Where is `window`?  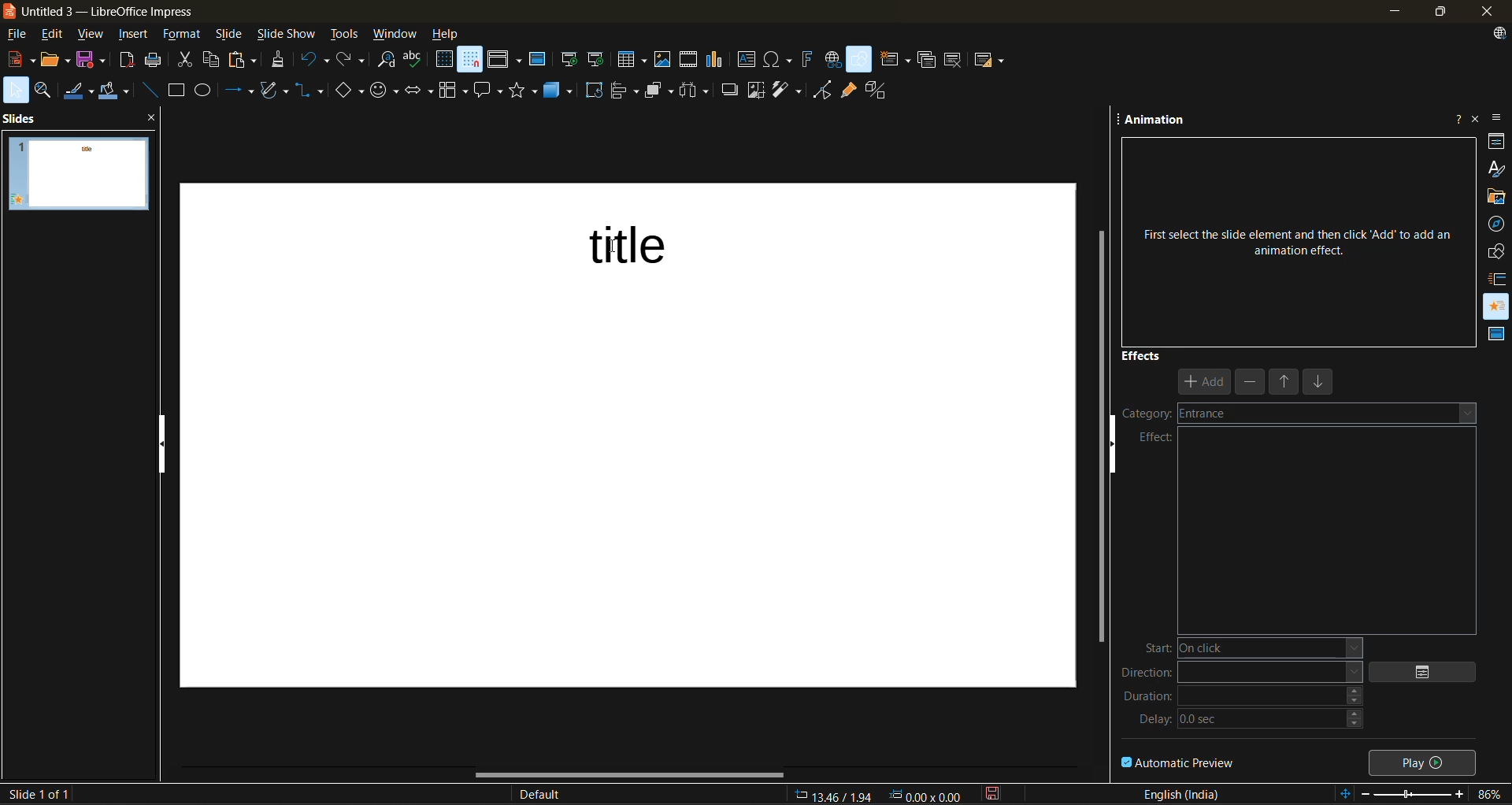
window is located at coordinates (396, 35).